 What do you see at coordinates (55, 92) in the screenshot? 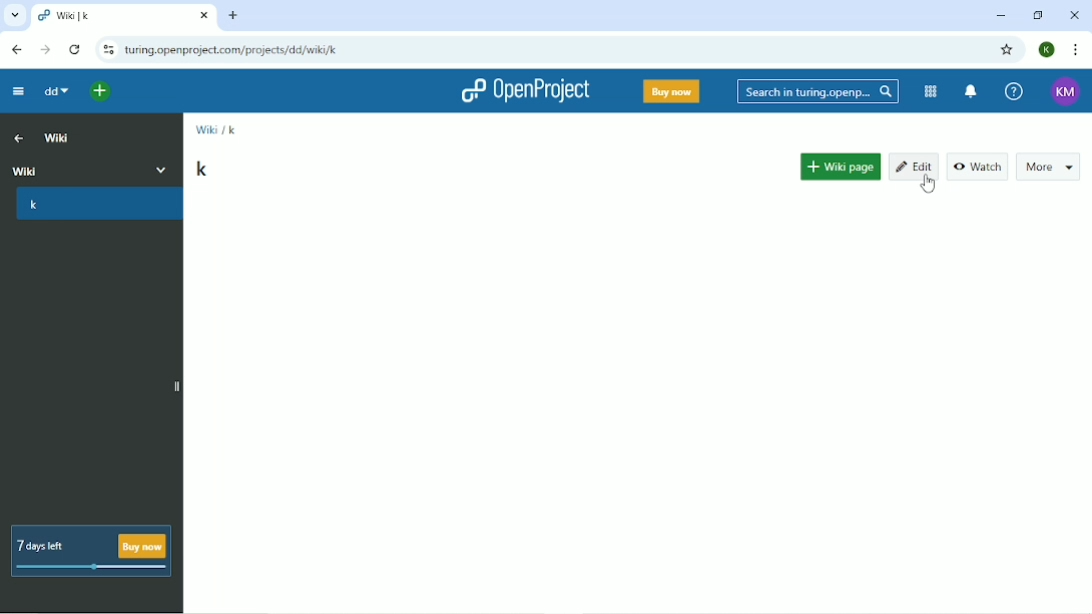
I see `dd` at bounding box center [55, 92].